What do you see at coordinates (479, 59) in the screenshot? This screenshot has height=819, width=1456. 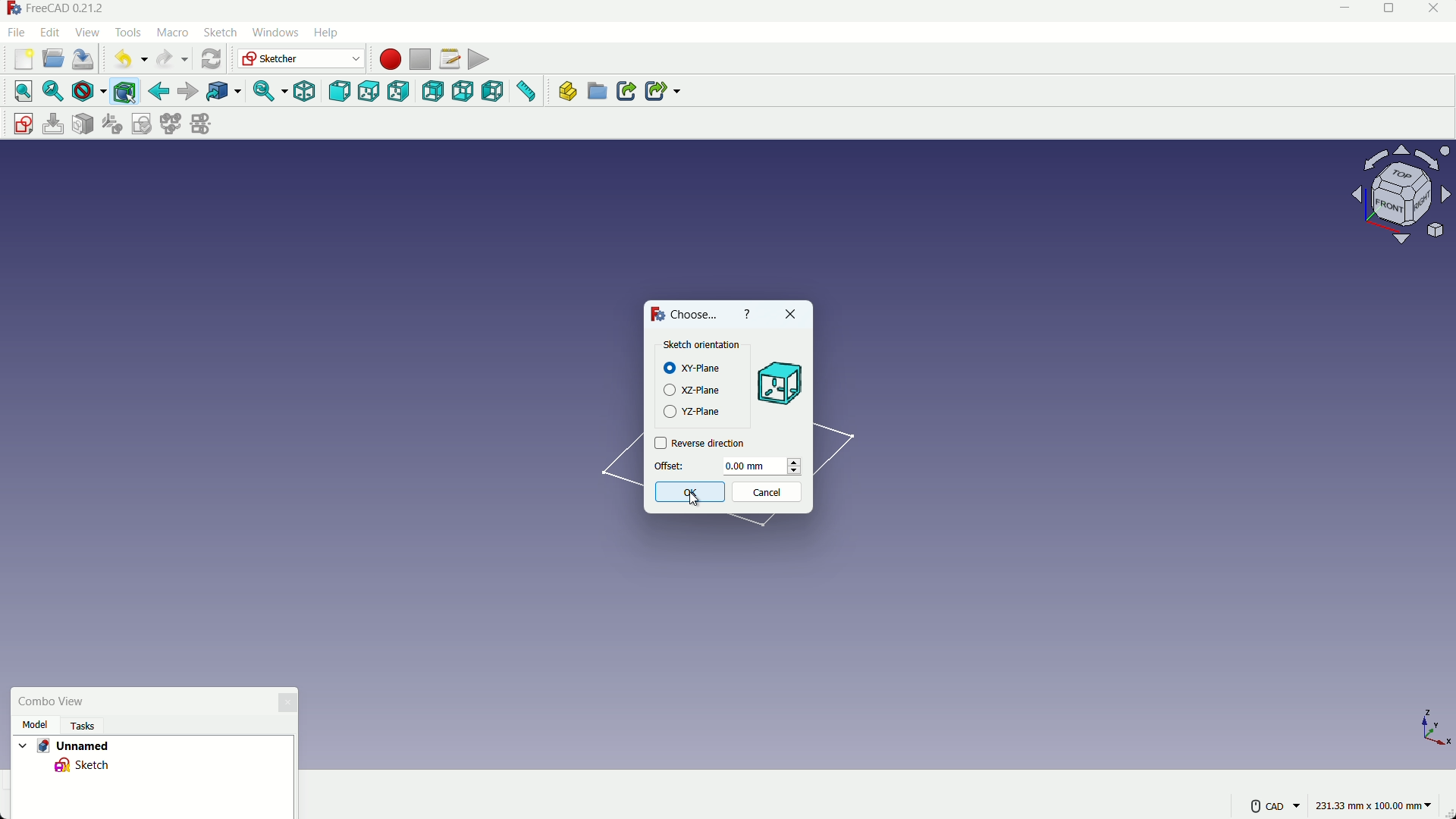 I see `execute macros` at bounding box center [479, 59].